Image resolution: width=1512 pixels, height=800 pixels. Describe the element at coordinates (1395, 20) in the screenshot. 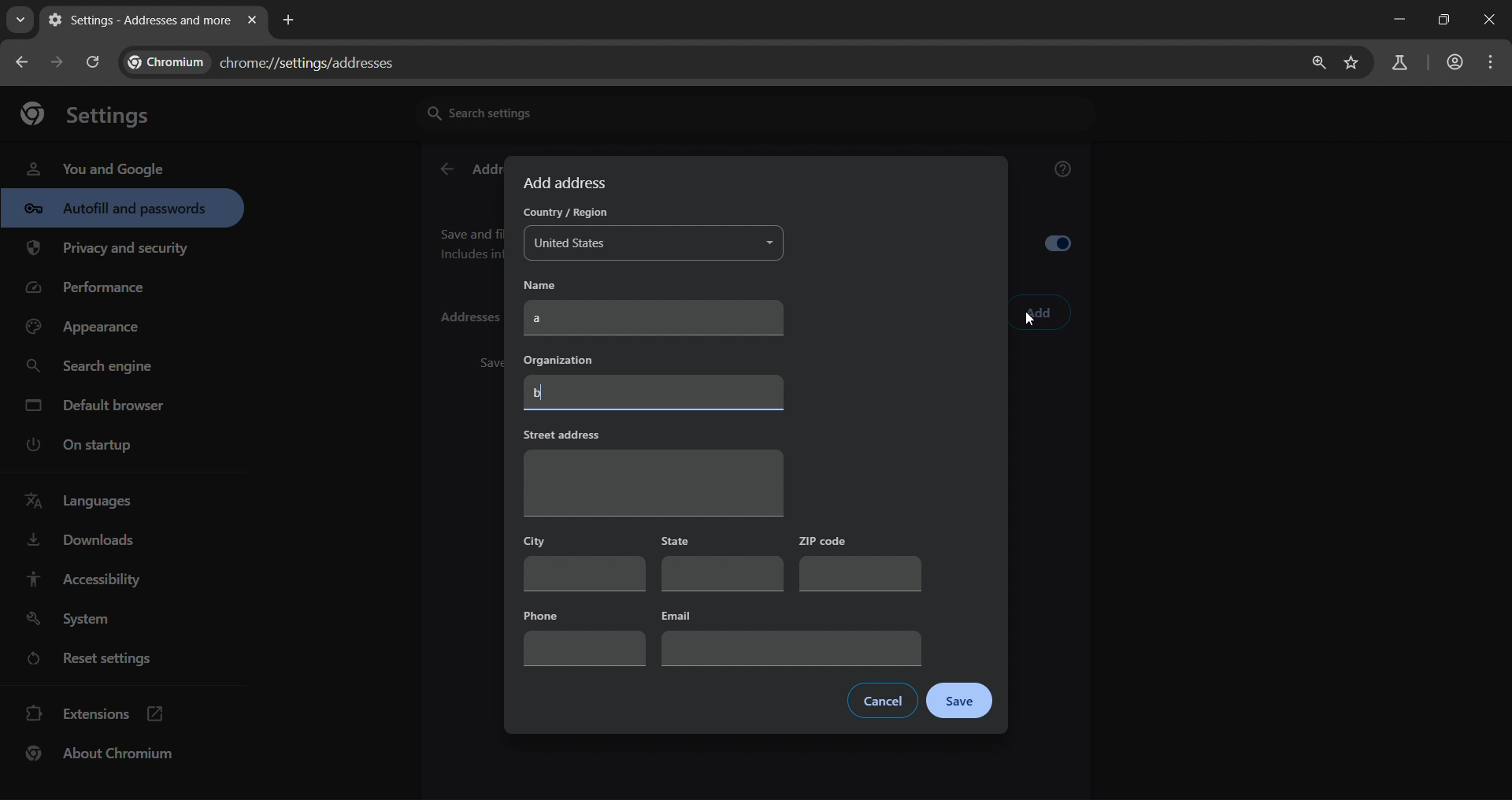

I see `minimize` at that location.